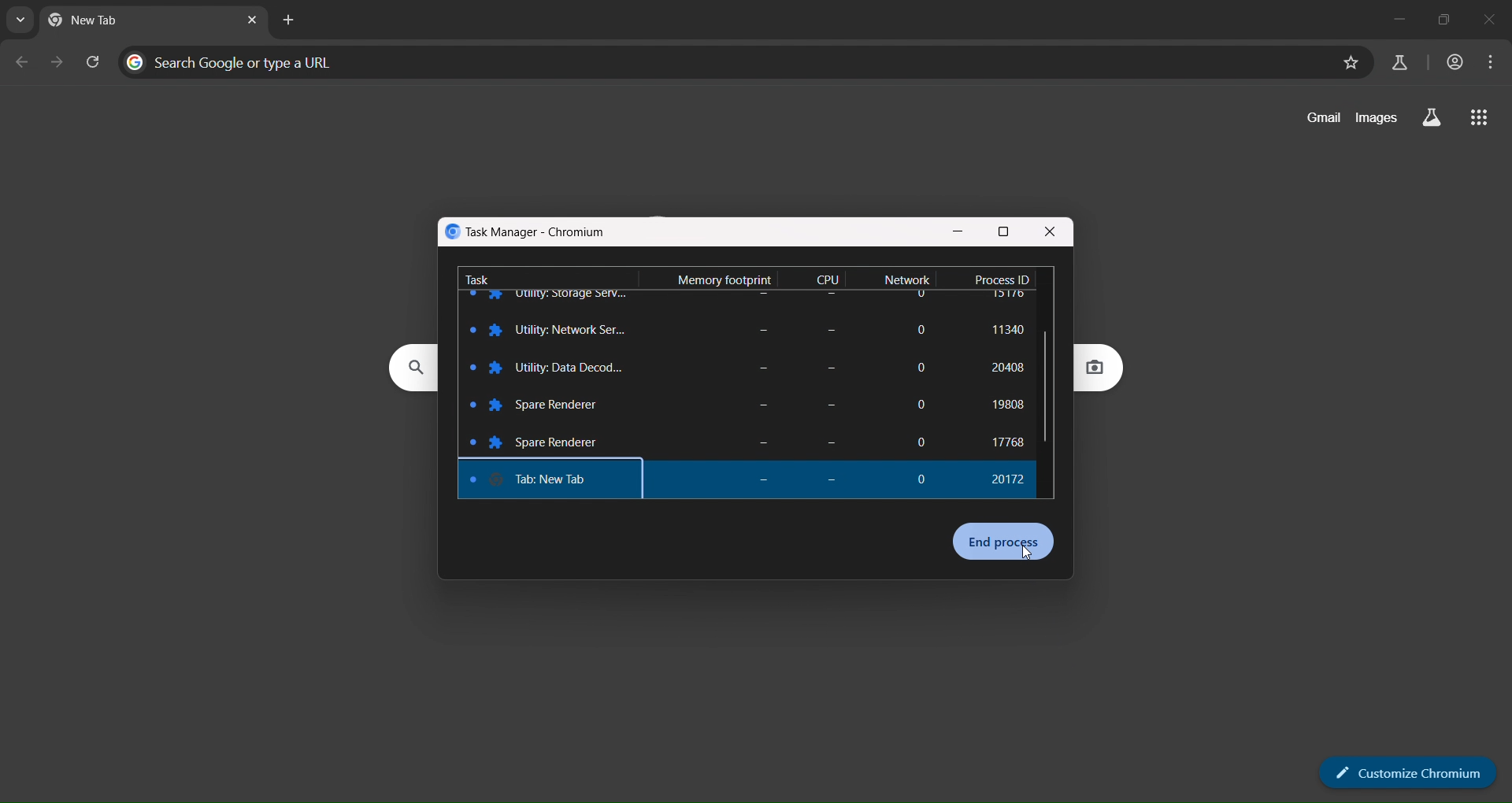 The width and height of the screenshot is (1512, 803). Describe the element at coordinates (576, 403) in the screenshot. I see `Utility: Data Decod...` at that location.